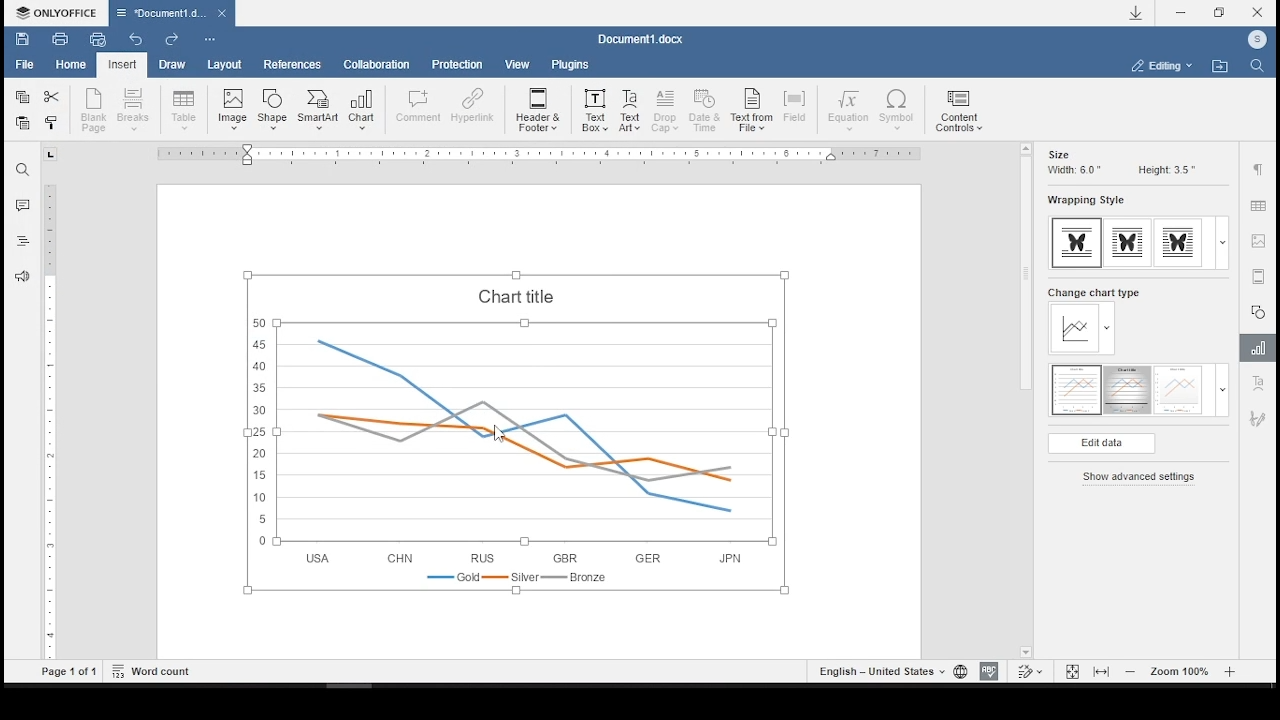  What do you see at coordinates (22, 98) in the screenshot?
I see `copy` at bounding box center [22, 98].